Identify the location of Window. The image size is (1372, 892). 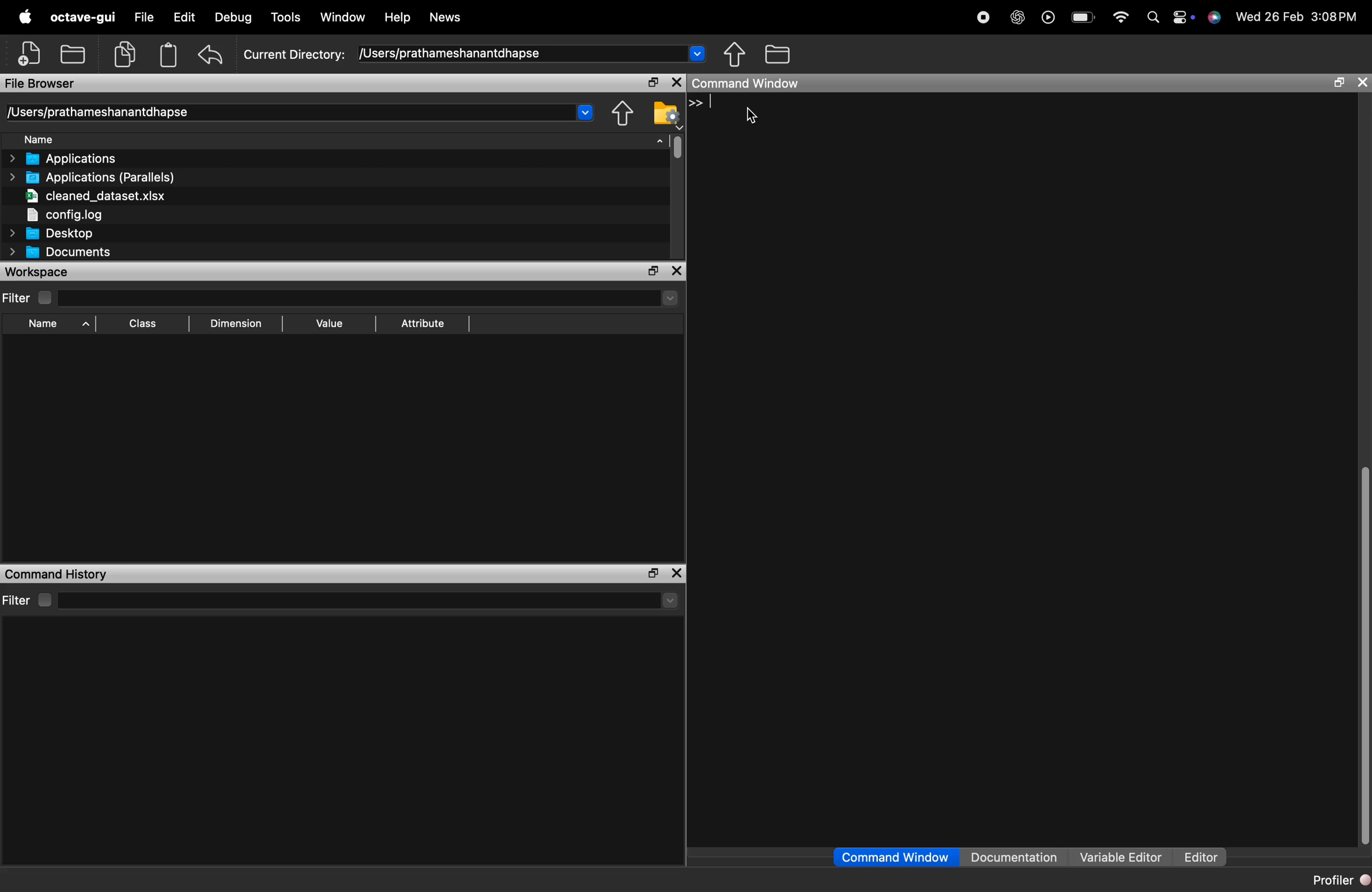
(345, 18).